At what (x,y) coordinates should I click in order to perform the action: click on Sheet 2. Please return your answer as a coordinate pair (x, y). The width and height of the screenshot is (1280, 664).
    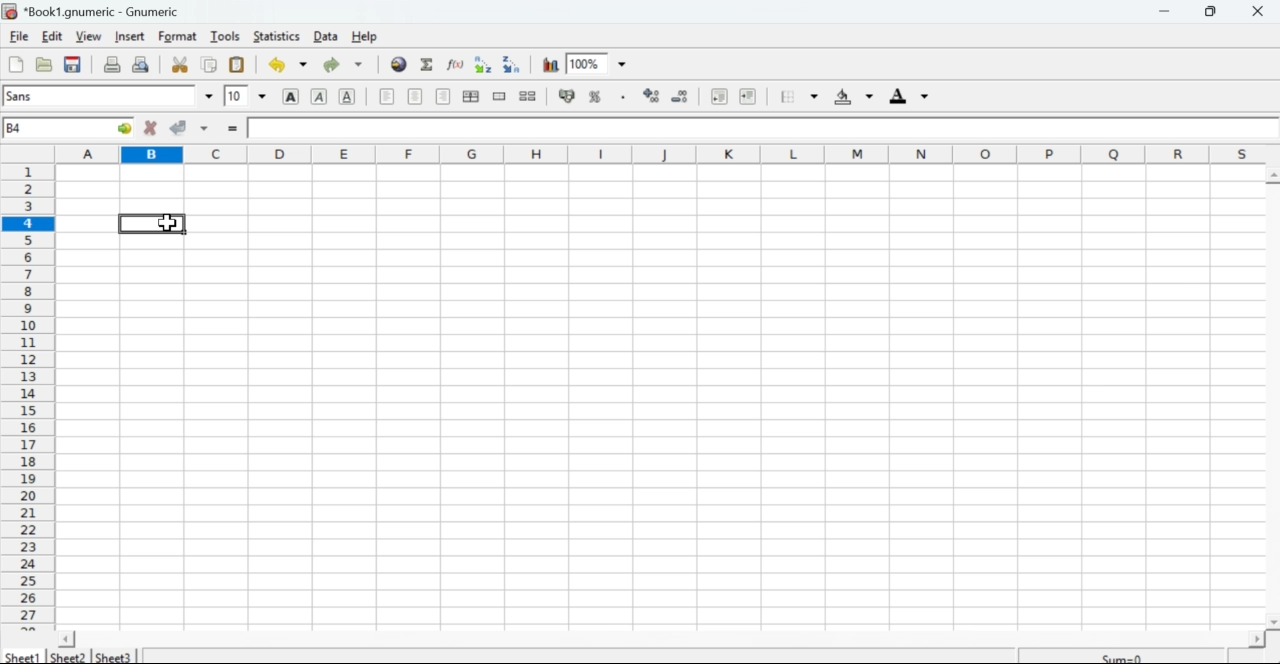
    Looking at the image, I should click on (70, 657).